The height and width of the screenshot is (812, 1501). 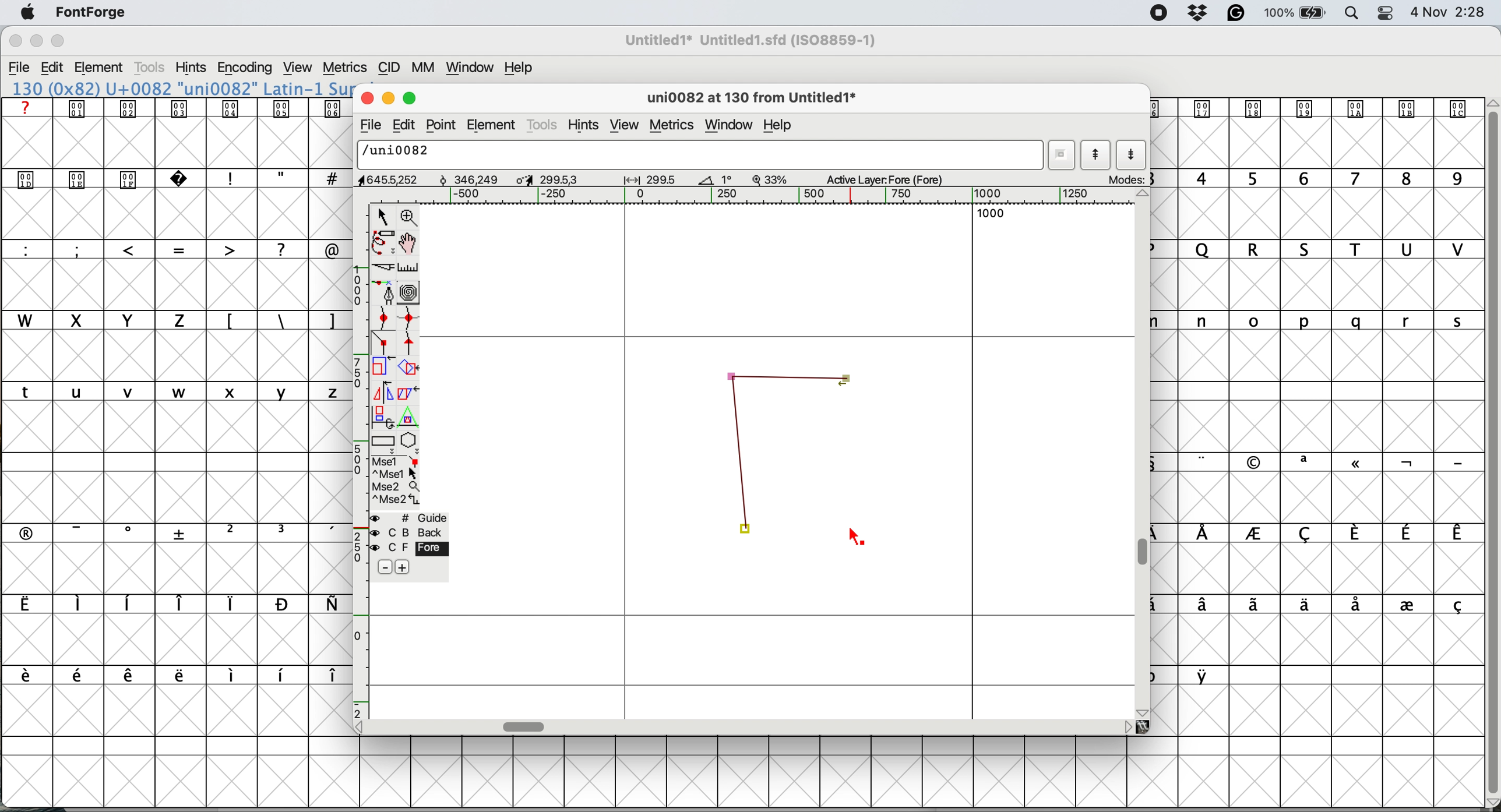 What do you see at coordinates (522, 68) in the screenshot?
I see `help` at bounding box center [522, 68].